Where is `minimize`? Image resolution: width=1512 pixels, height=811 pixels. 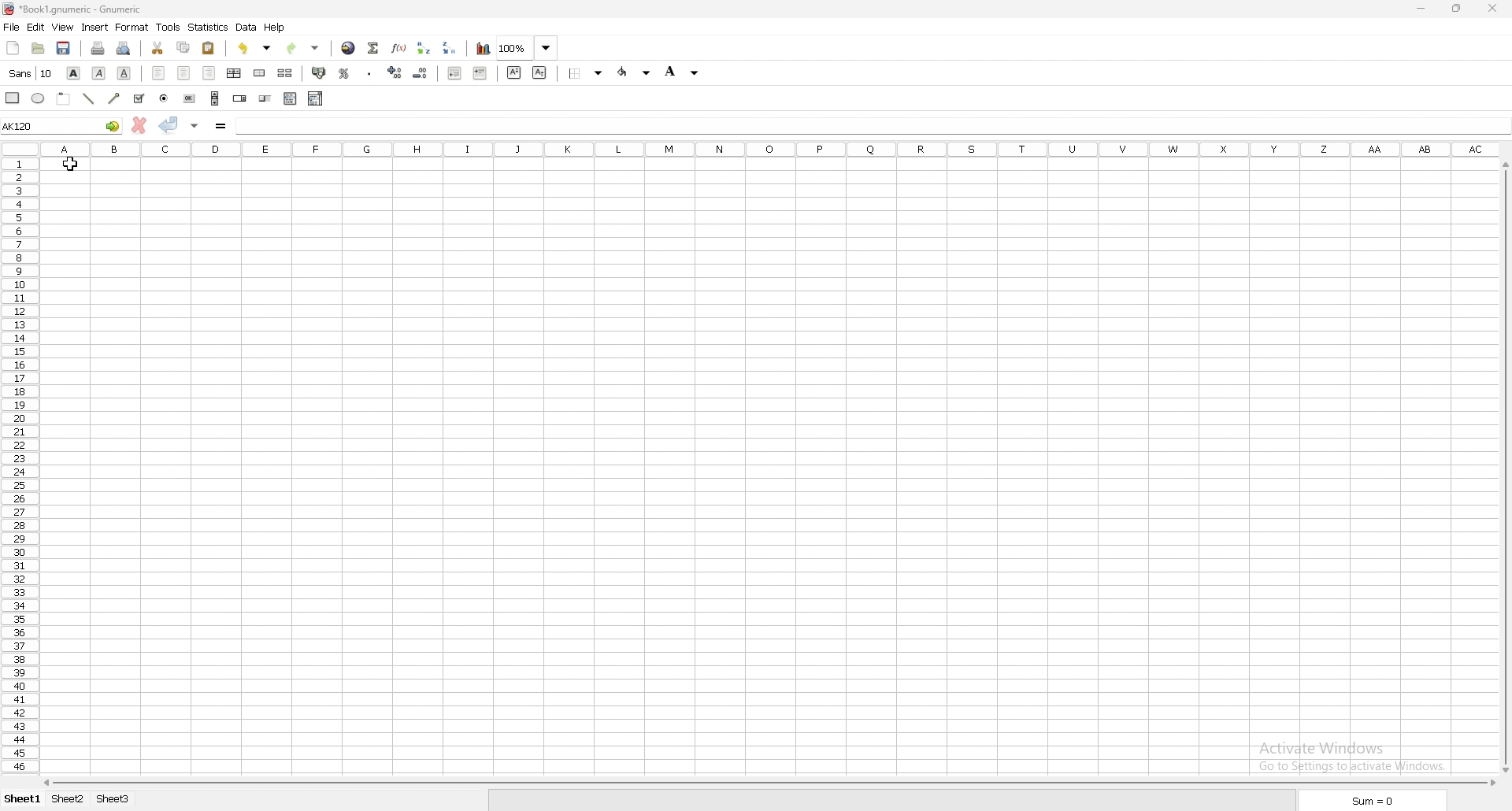 minimize is located at coordinates (1422, 9).